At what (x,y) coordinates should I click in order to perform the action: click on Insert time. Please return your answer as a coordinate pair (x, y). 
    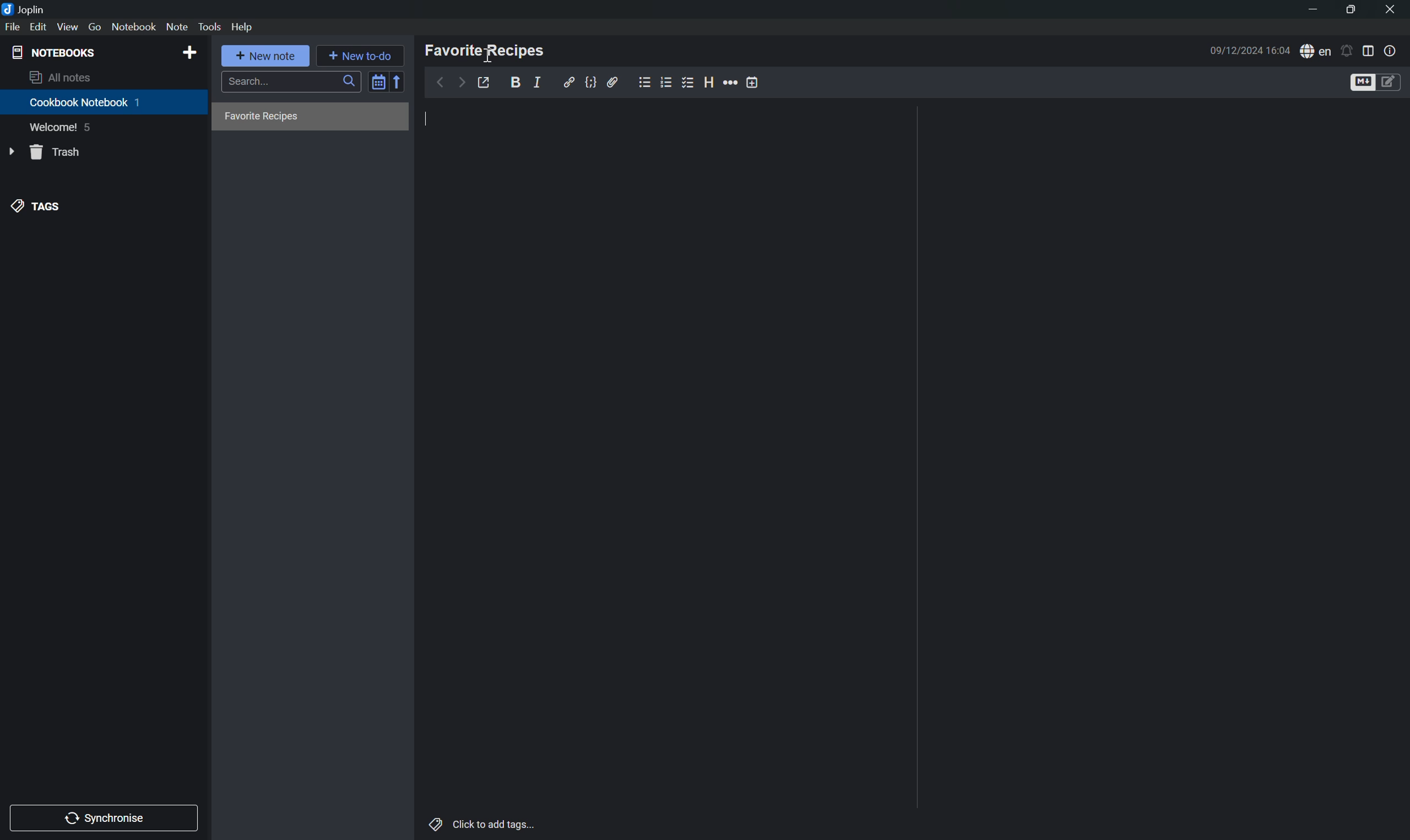
    Looking at the image, I should click on (752, 82).